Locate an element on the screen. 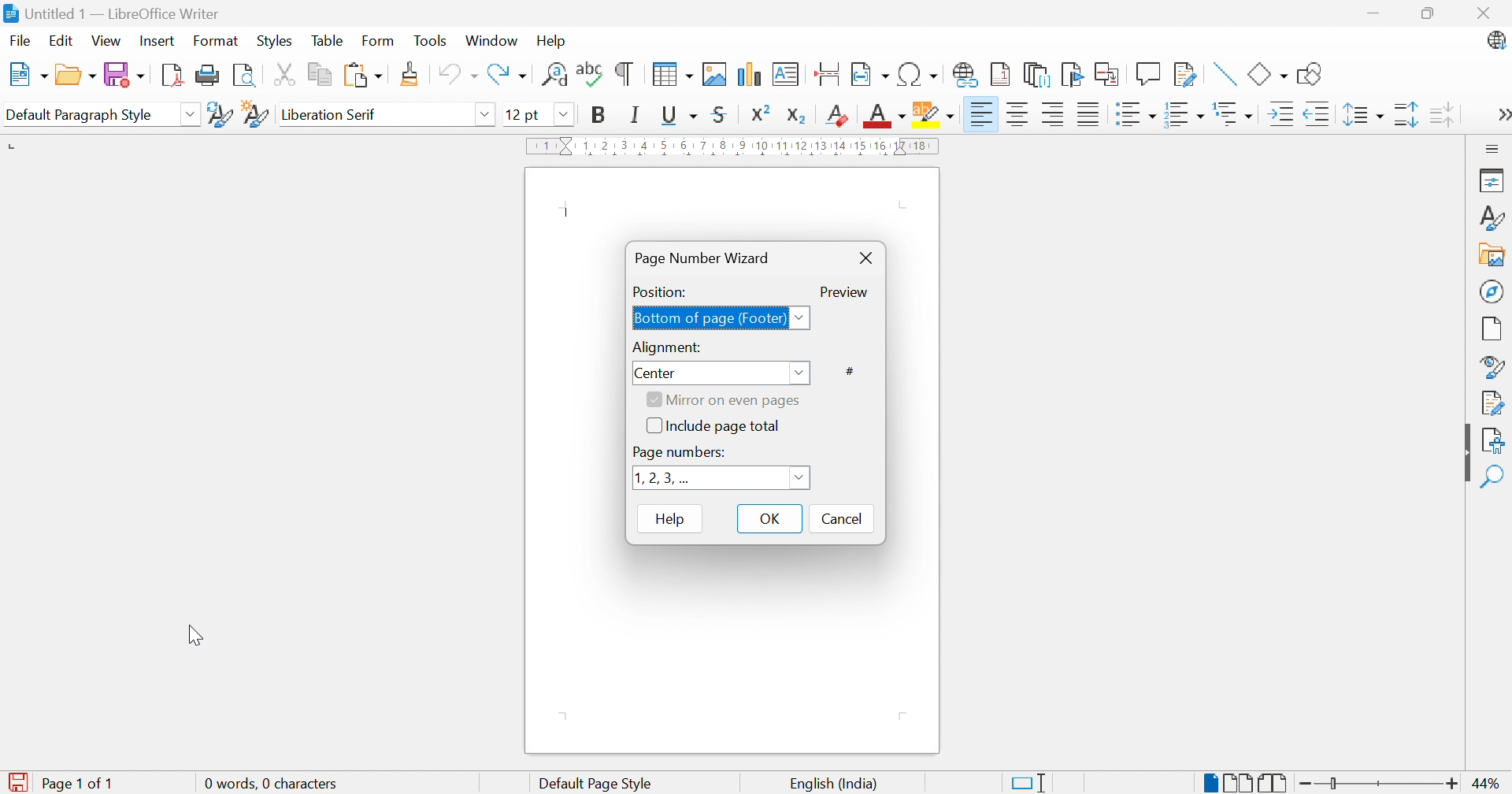 The image size is (1512, 794). View is located at coordinates (106, 42).